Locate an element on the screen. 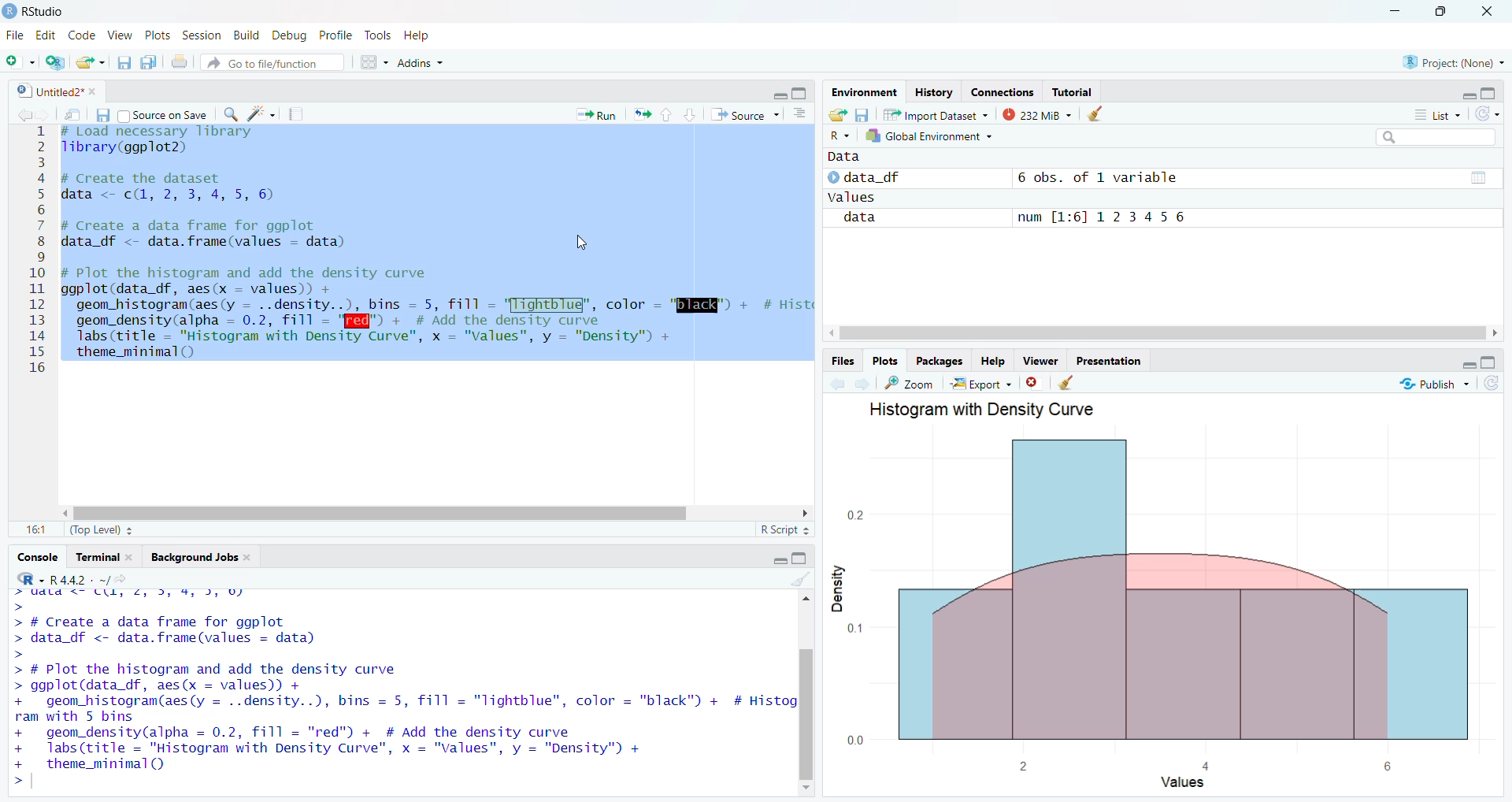 Image resolution: width=1512 pixels, height=802 pixels. clear all plots is located at coordinates (1067, 383).